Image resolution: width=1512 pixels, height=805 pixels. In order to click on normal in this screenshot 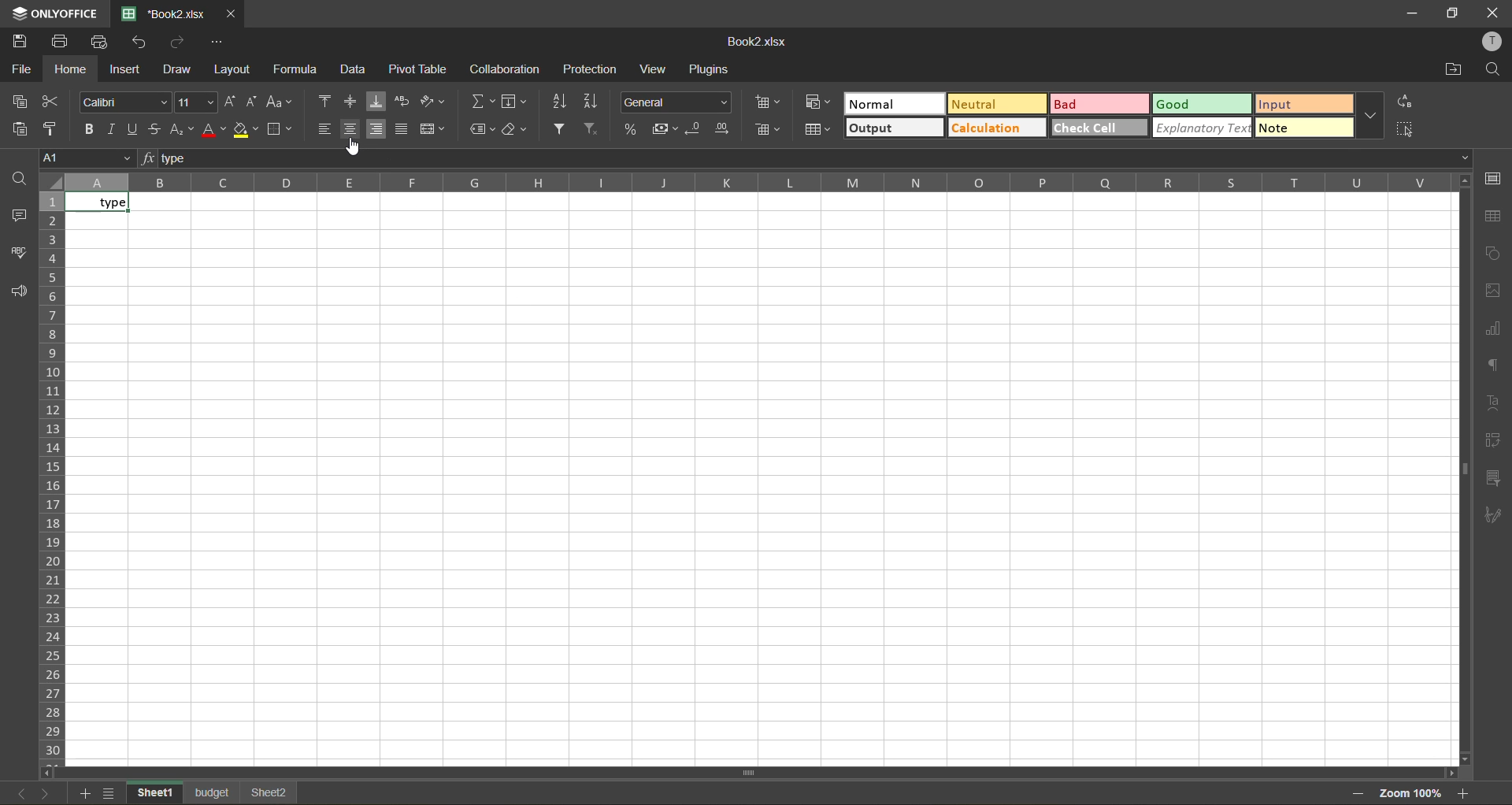, I will do `click(892, 103)`.